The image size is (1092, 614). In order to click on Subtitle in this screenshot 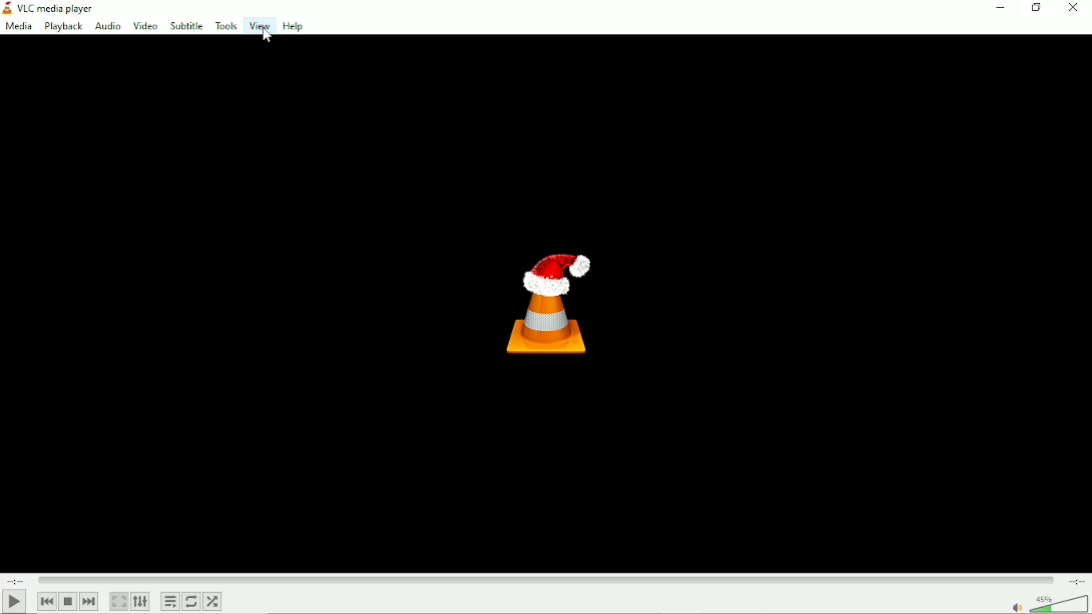, I will do `click(187, 25)`.